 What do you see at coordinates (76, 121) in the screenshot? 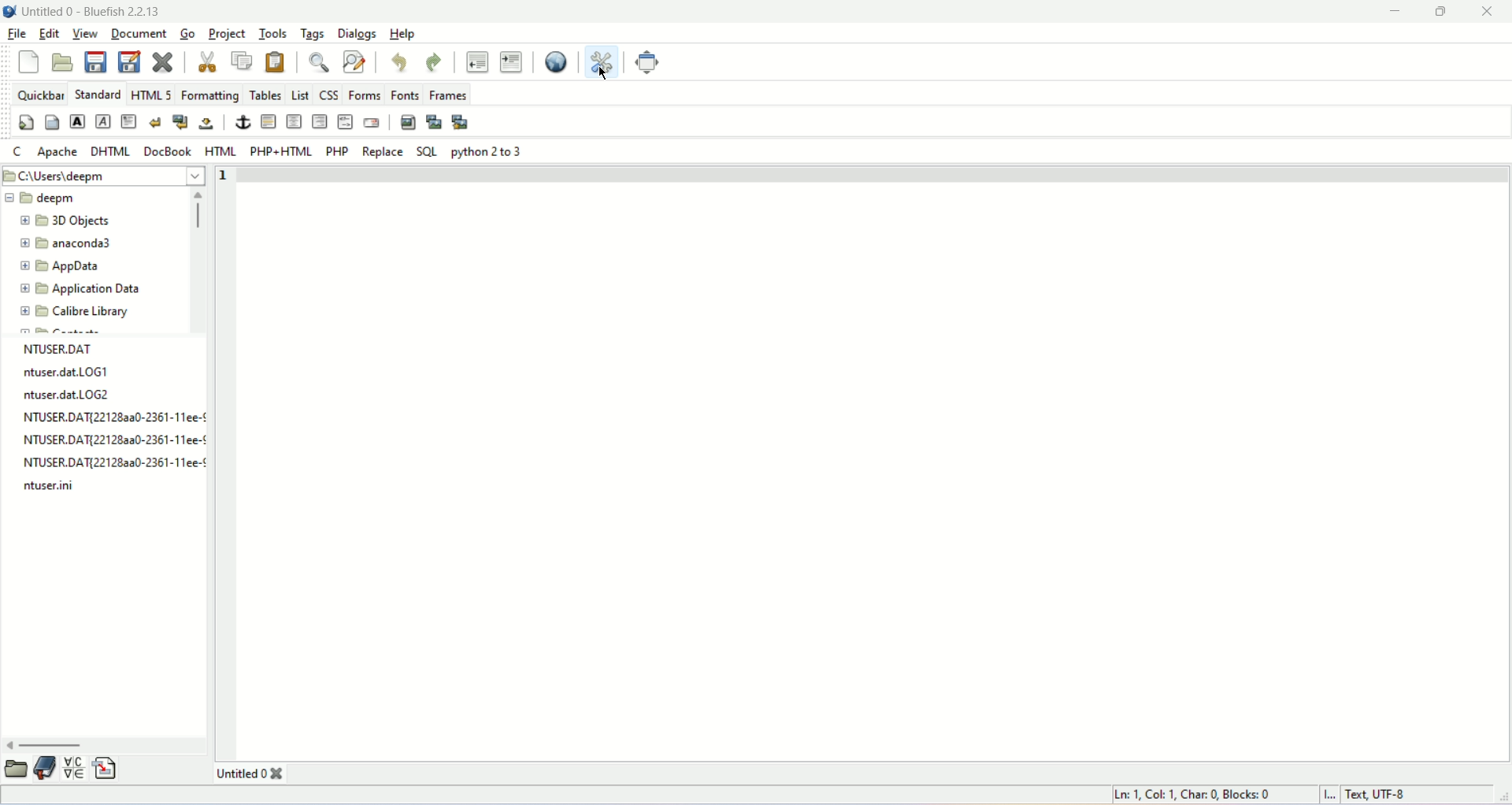
I see `strong` at bounding box center [76, 121].